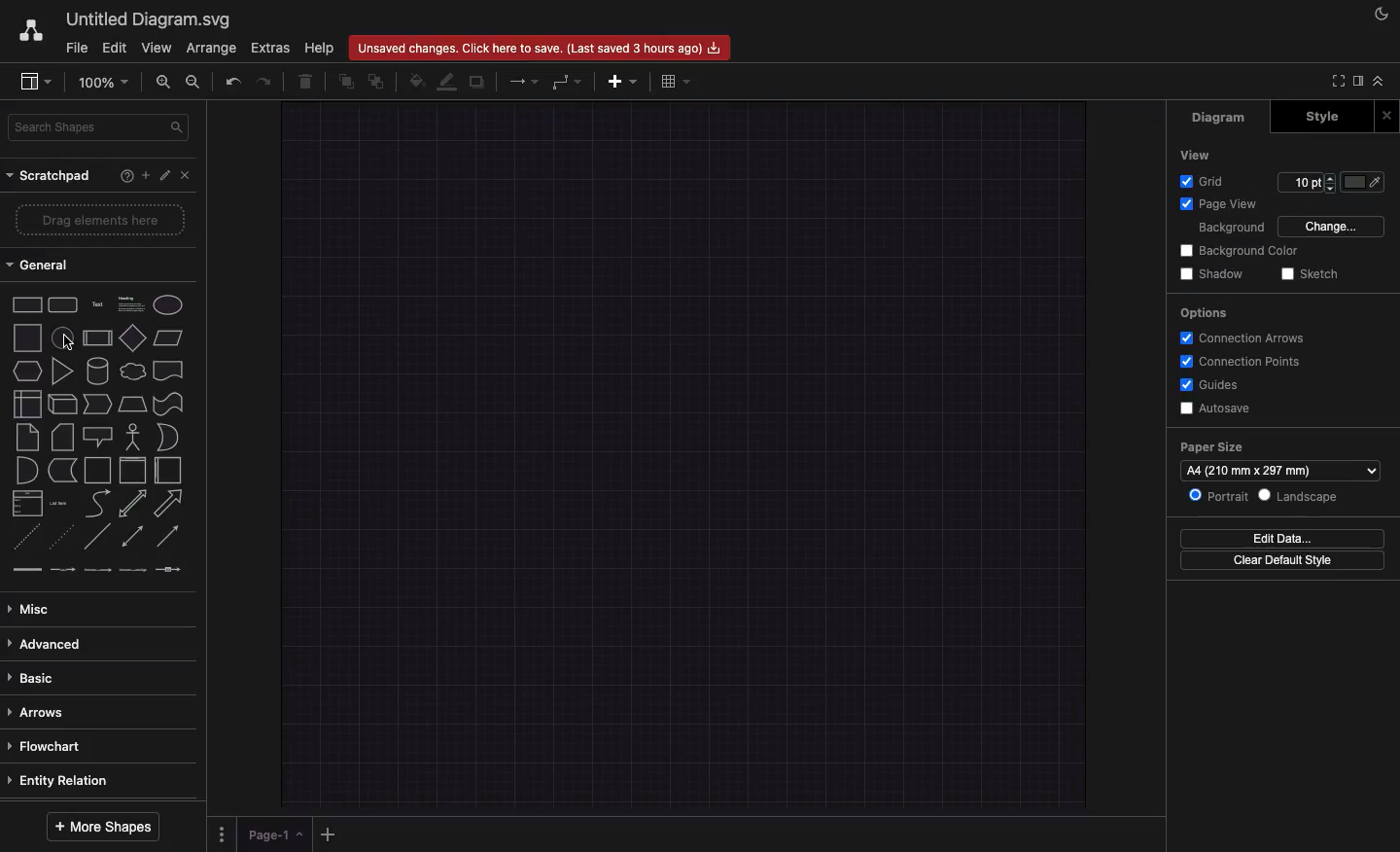 This screenshot has height=852, width=1400. Describe the element at coordinates (72, 338) in the screenshot. I see `Cursor on Shapes` at that location.